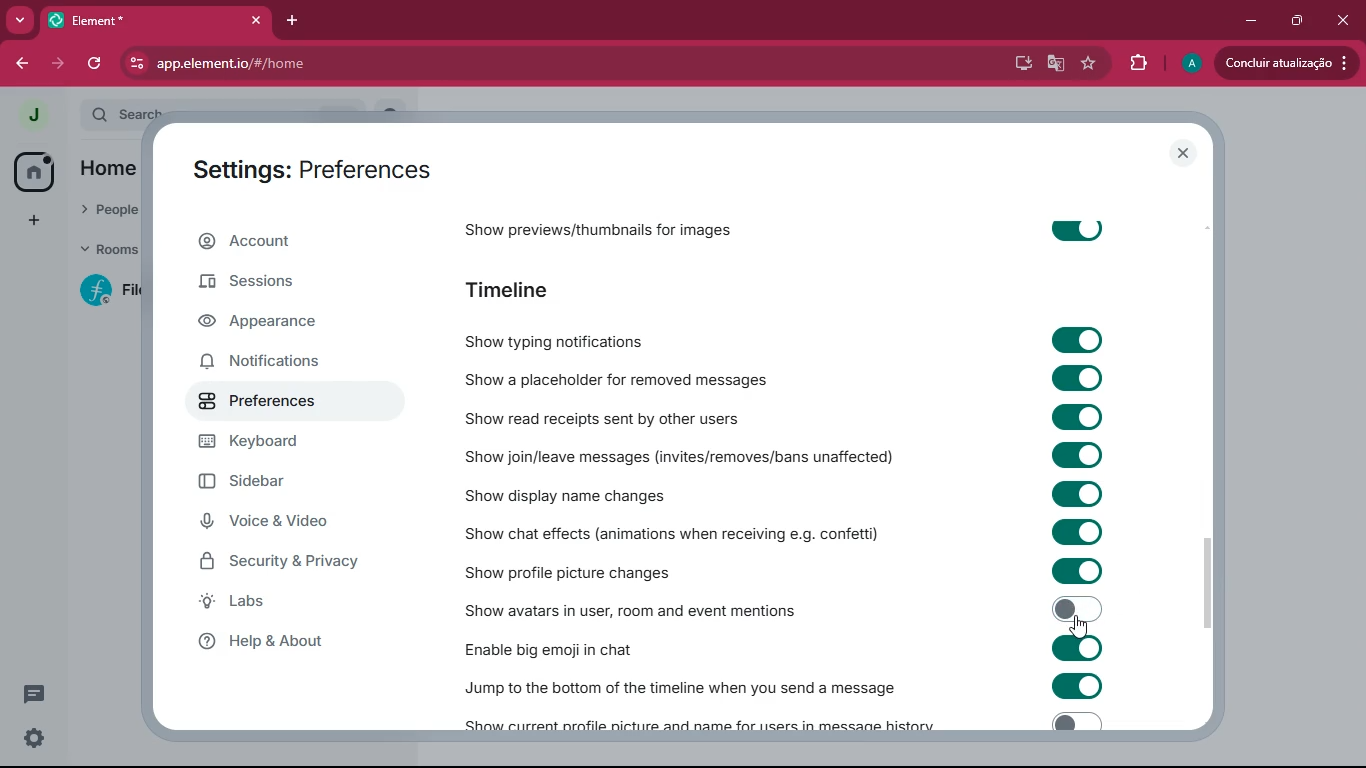 This screenshot has width=1366, height=768. Describe the element at coordinates (1083, 341) in the screenshot. I see `toggle on ` at that location.